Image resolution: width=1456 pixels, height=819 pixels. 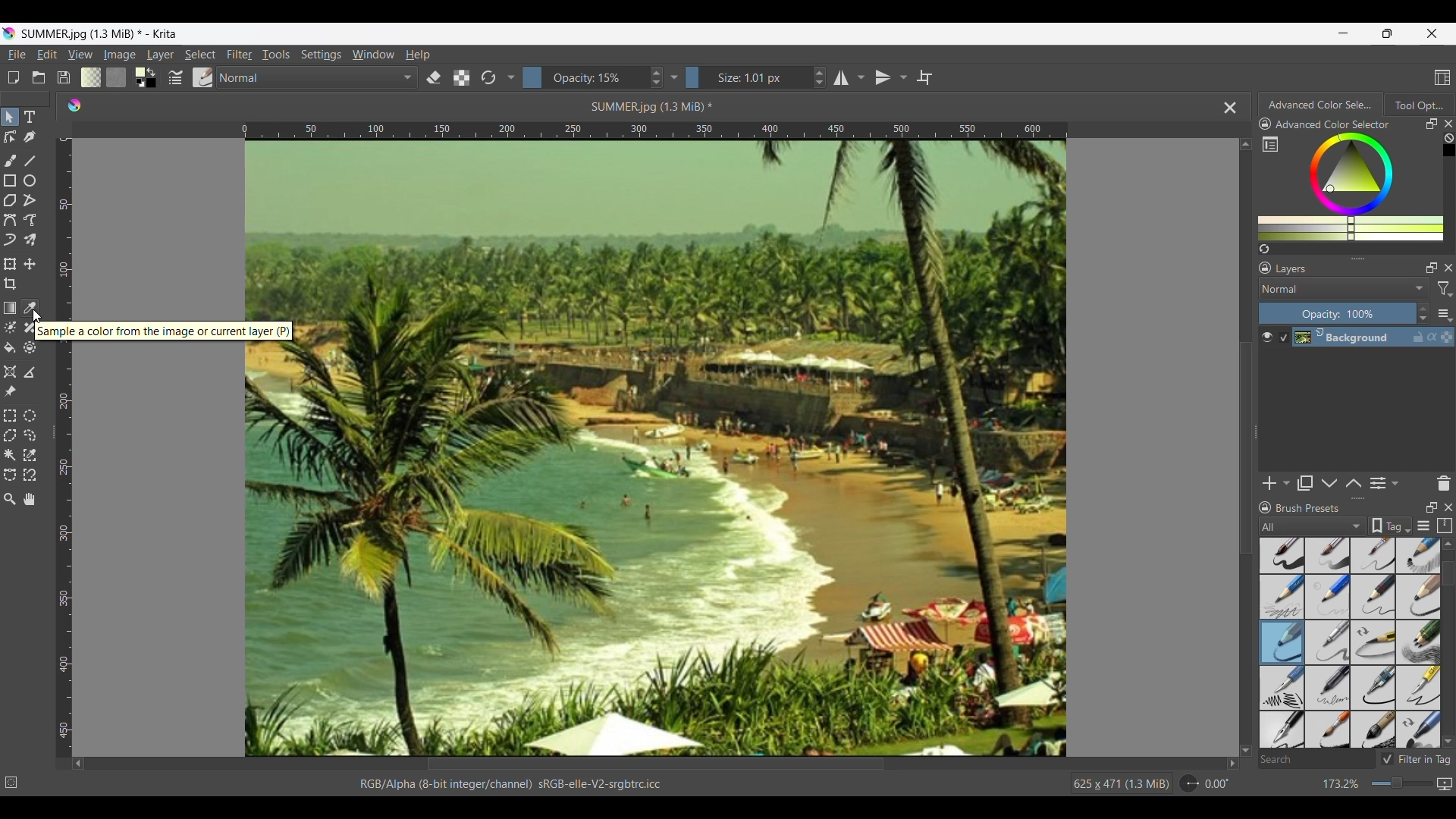 I want to click on Rotation dial, so click(x=1189, y=784).